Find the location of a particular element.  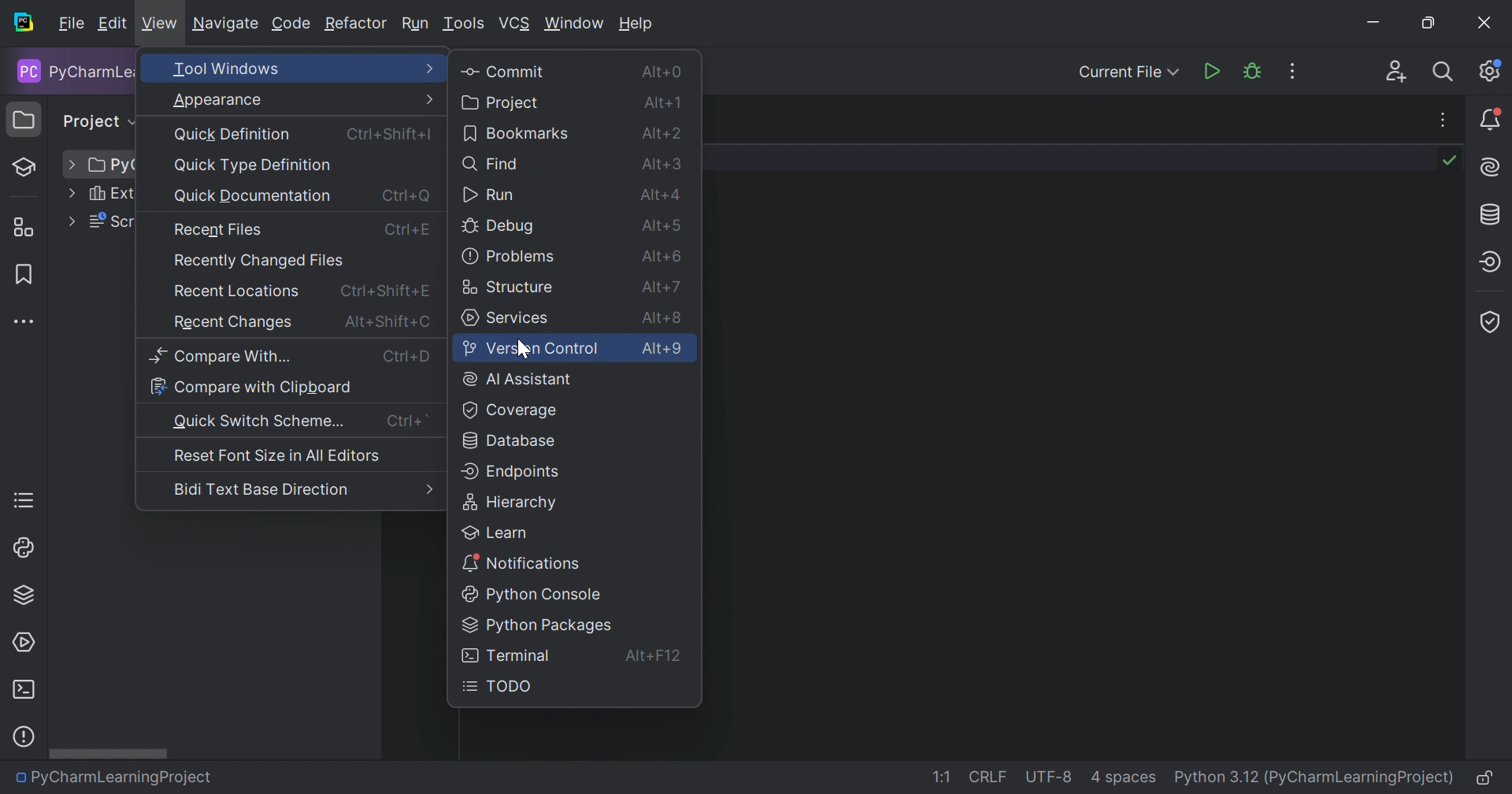

Ctrl+* is located at coordinates (408, 421).